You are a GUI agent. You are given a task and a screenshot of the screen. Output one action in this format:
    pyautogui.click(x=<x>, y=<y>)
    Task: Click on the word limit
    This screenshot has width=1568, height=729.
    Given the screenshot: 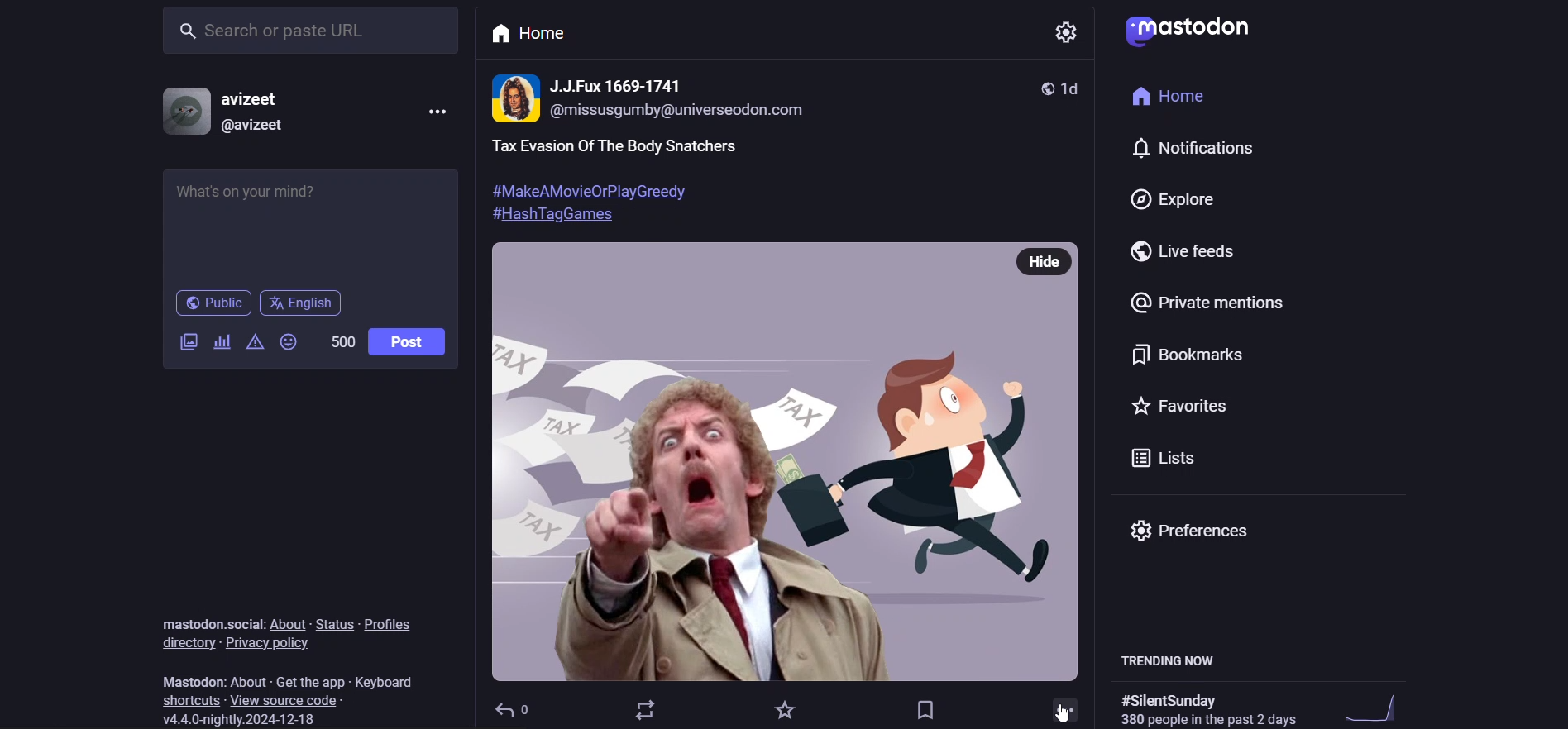 What is the action you would take?
    pyautogui.click(x=340, y=342)
    